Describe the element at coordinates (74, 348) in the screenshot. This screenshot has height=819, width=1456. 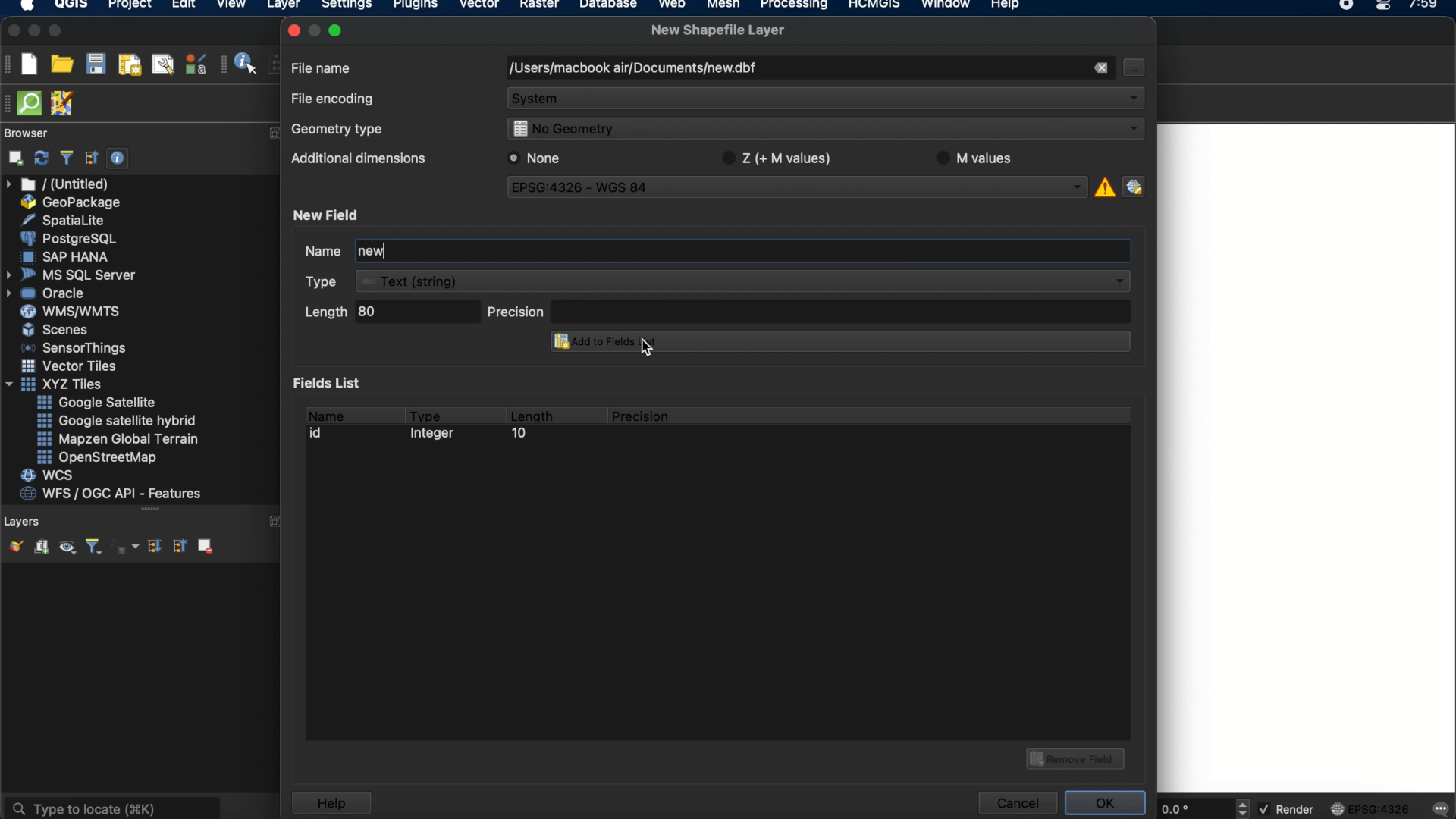
I see `sensorthings` at that location.